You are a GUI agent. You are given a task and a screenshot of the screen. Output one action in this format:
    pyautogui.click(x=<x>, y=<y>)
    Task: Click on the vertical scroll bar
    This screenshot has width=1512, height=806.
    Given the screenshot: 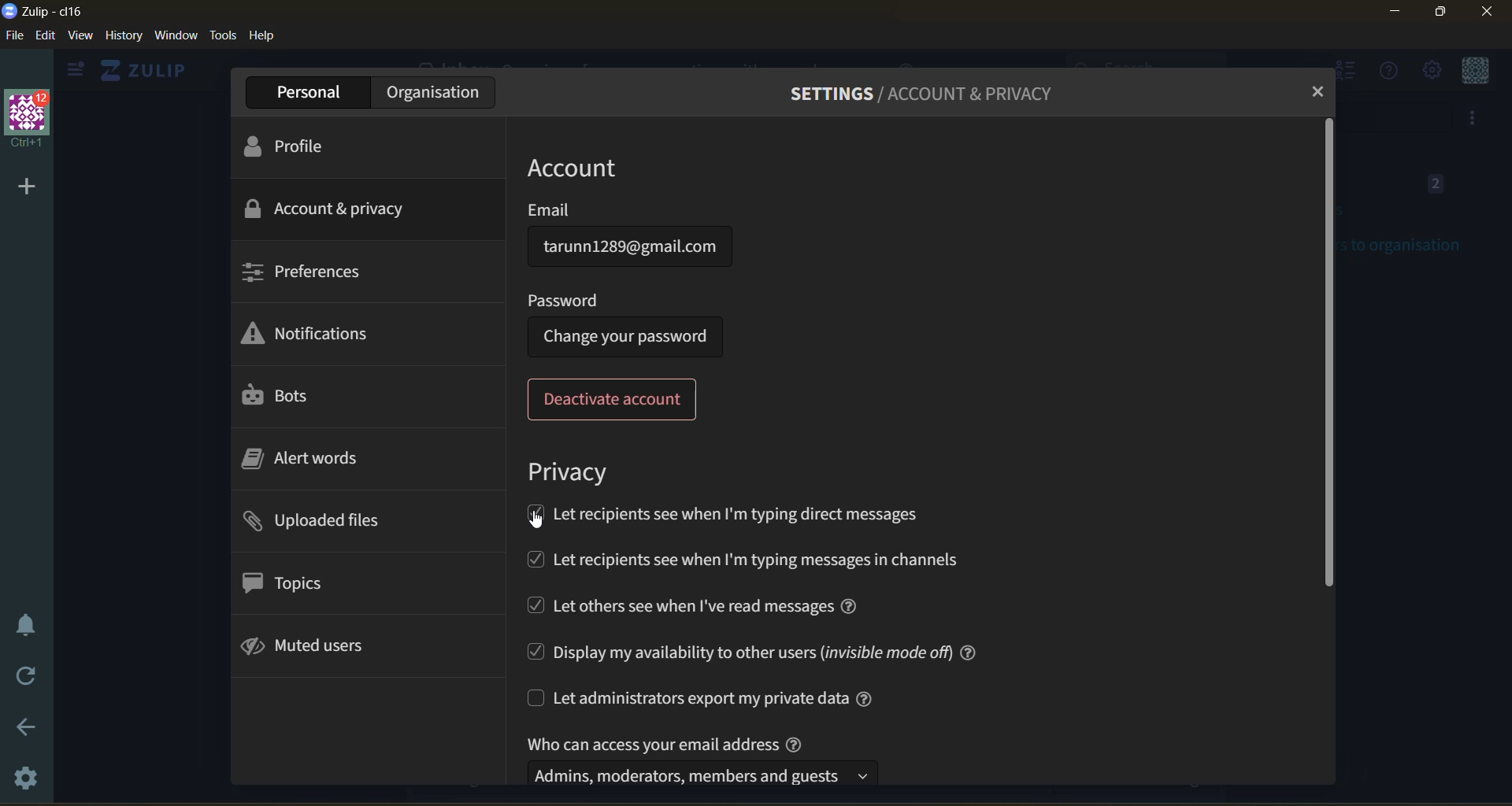 What is the action you would take?
    pyautogui.click(x=1325, y=355)
    